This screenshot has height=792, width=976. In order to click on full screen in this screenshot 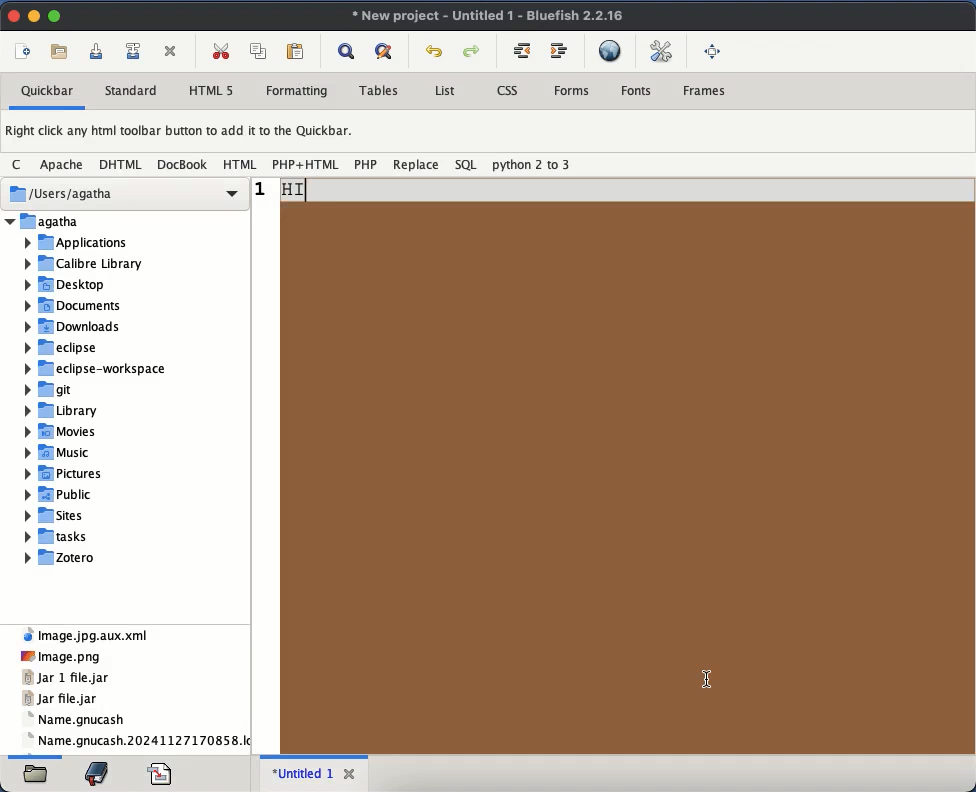, I will do `click(712, 50)`.